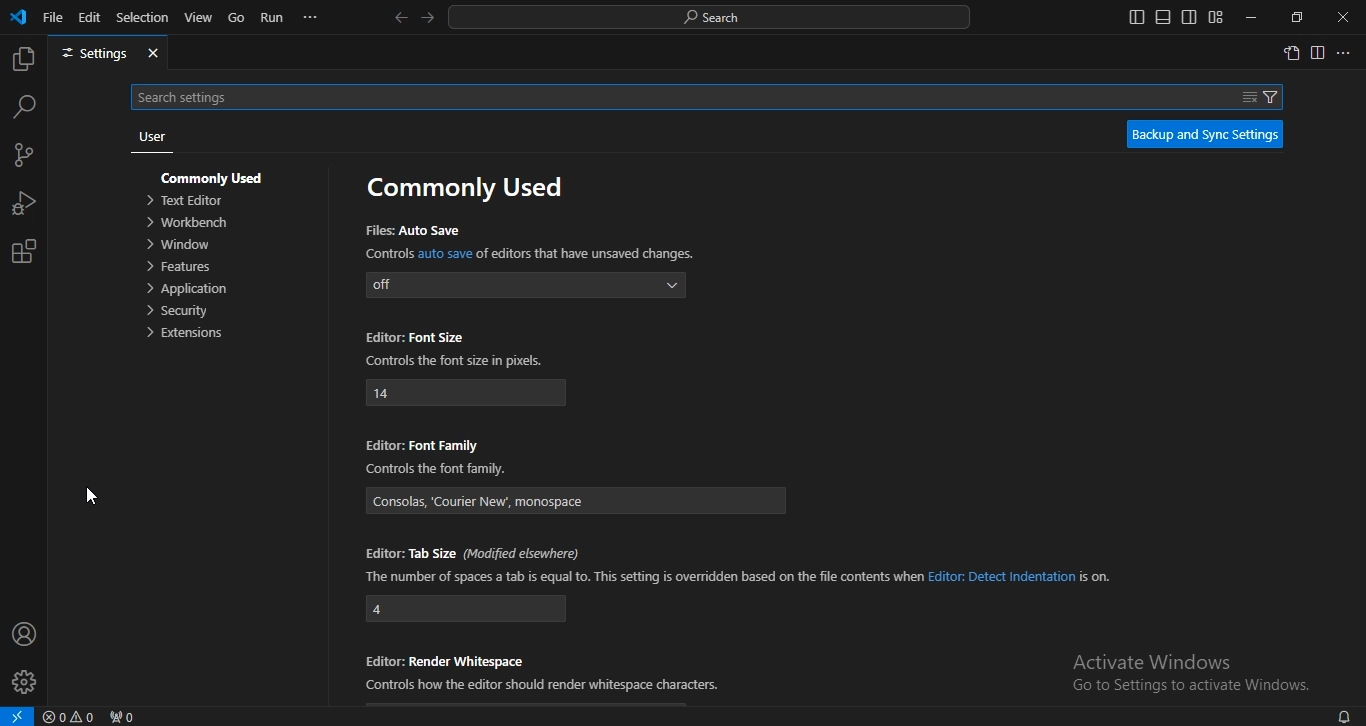 The height and width of the screenshot is (726, 1366). Describe the element at coordinates (522, 287) in the screenshot. I see `off` at that location.